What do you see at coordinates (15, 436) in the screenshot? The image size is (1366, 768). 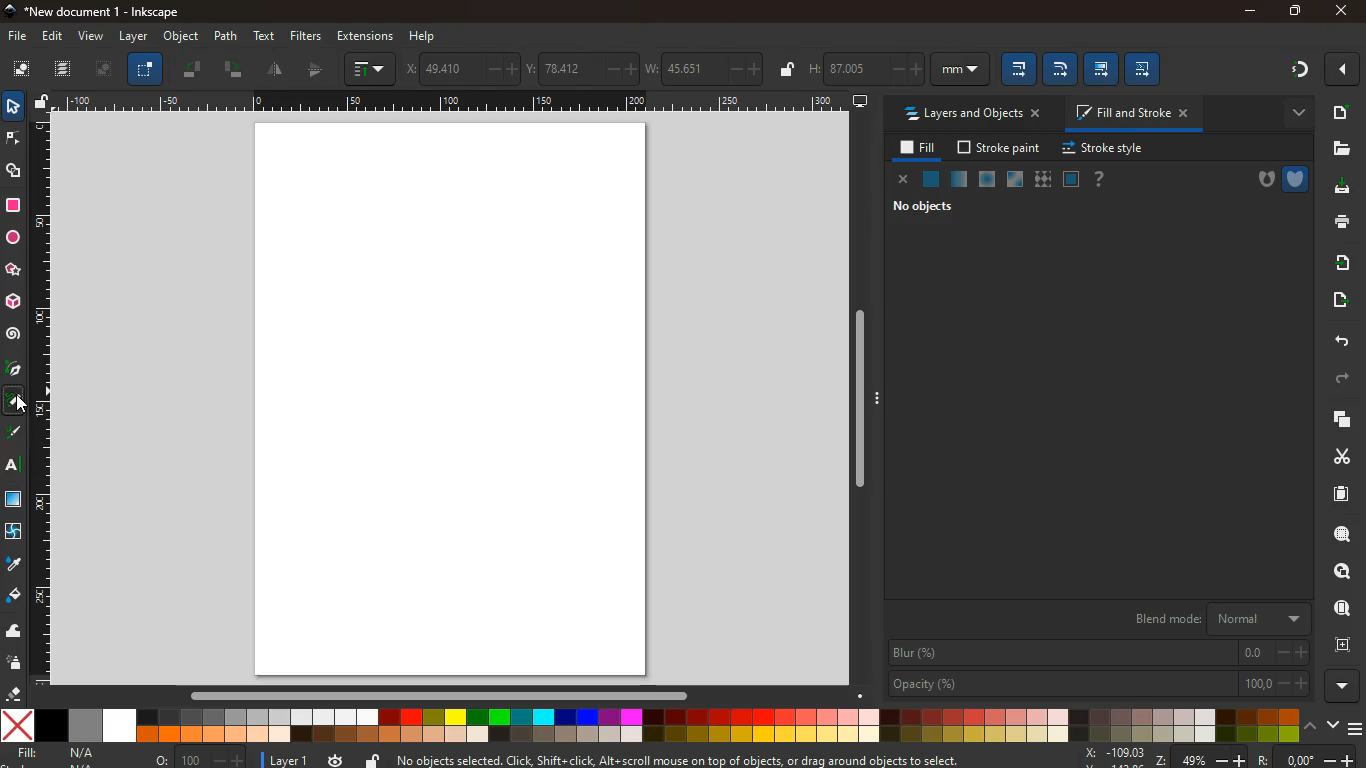 I see `draw` at bounding box center [15, 436].